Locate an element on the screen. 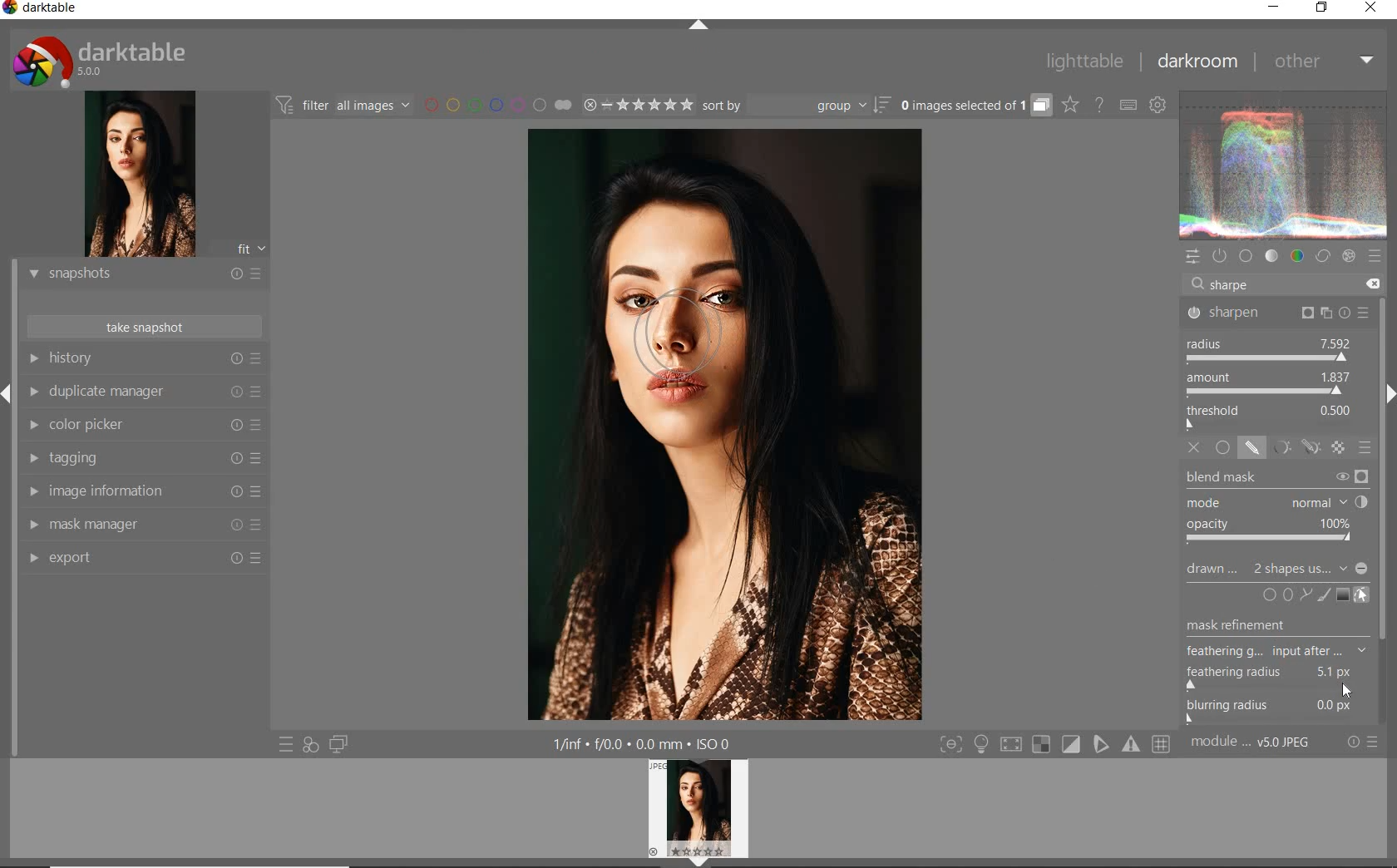 This screenshot has height=868, width=1397. SHARPEN is located at coordinates (1279, 312).